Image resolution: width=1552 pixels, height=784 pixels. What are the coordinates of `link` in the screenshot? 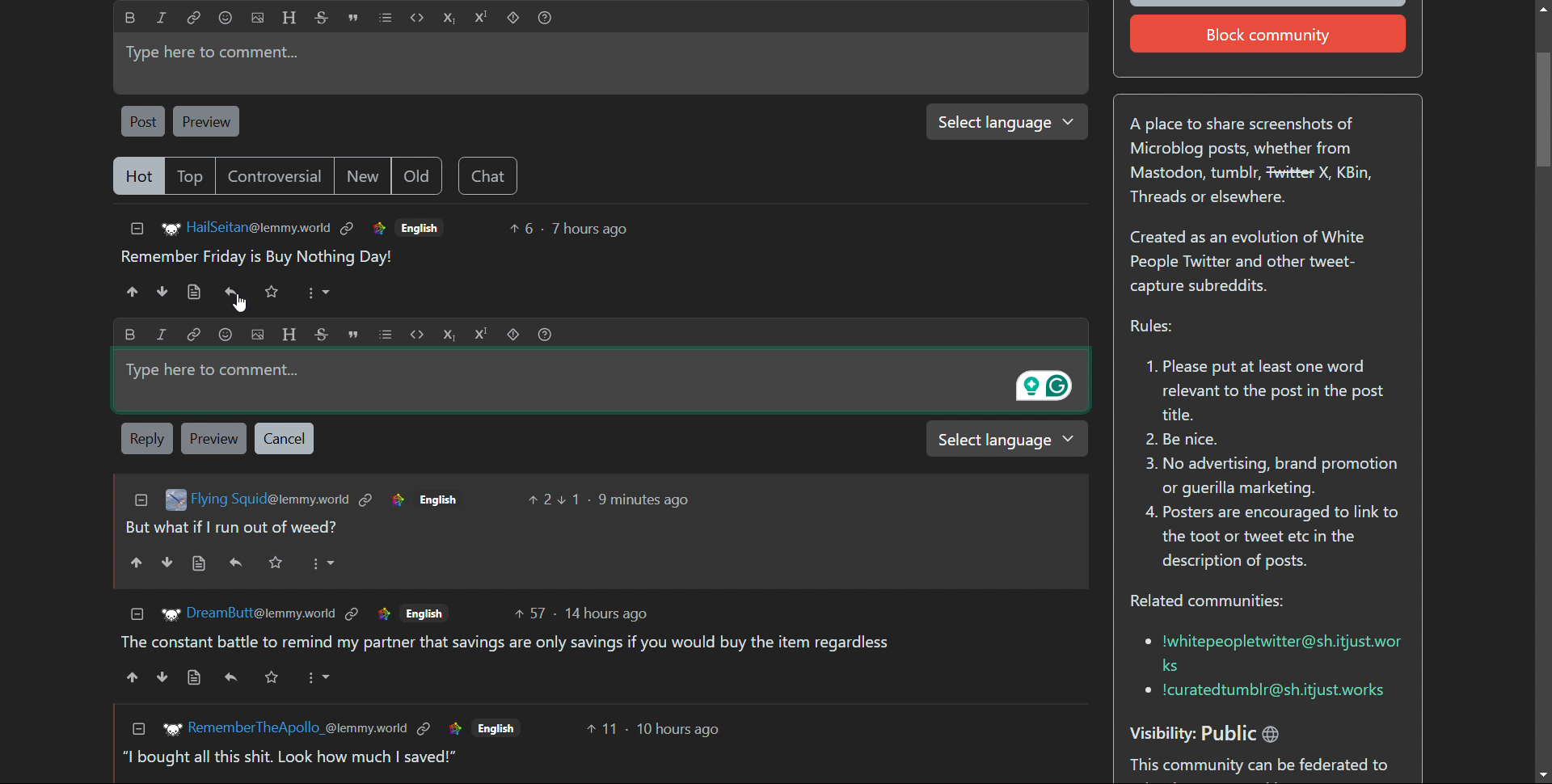 It's located at (379, 614).